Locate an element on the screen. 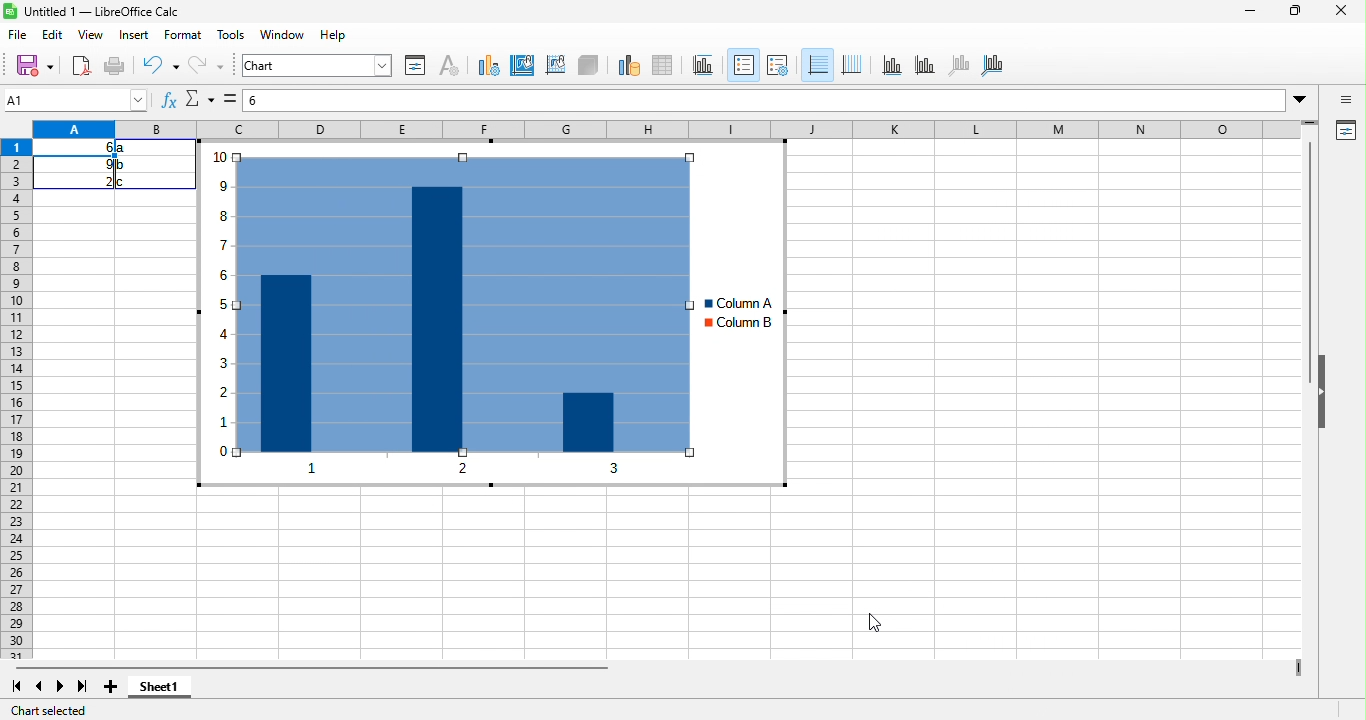  minimize is located at coordinates (1250, 10).